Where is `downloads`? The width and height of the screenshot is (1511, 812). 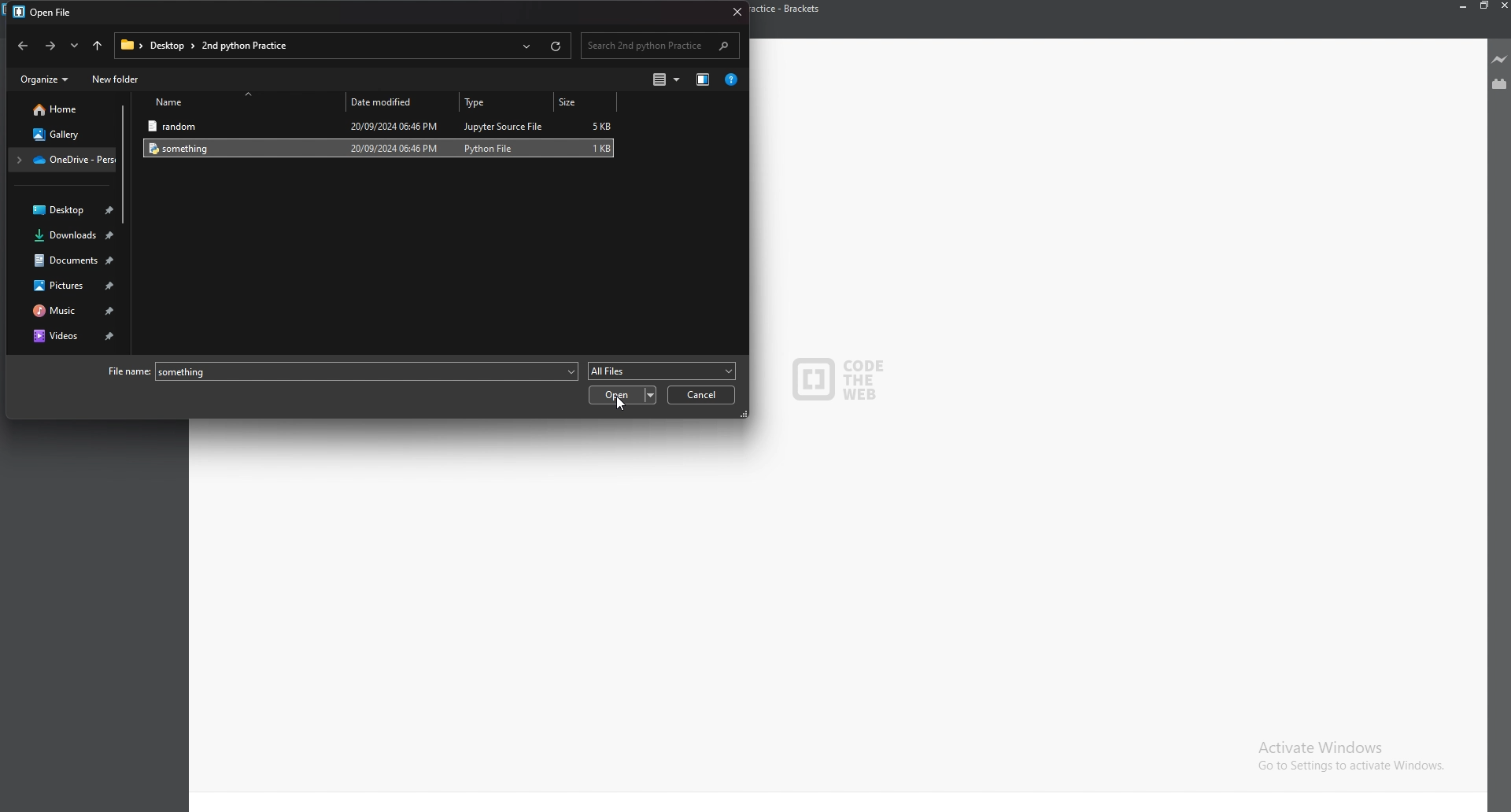 downloads is located at coordinates (63, 236).